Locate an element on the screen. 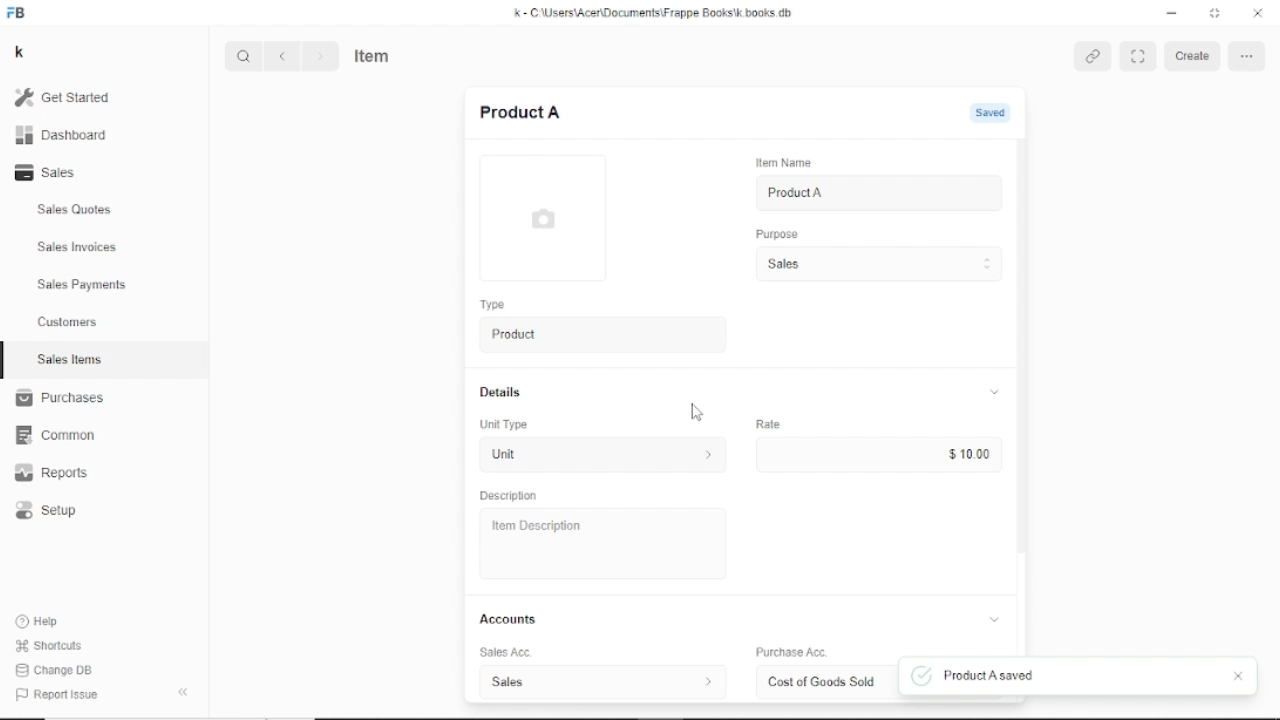 Image resolution: width=1280 pixels, height=720 pixels. Type is located at coordinates (492, 304).